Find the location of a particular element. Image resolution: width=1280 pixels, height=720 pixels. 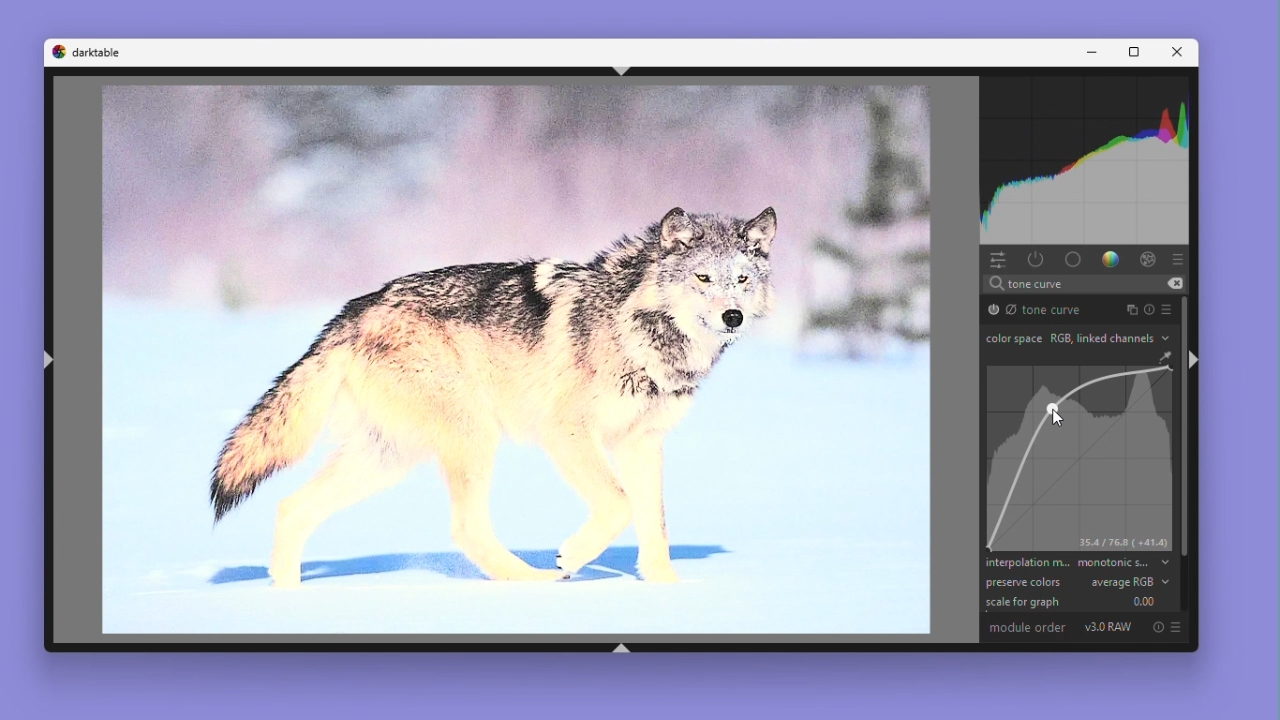

Close is located at coordinates (1179, 53).